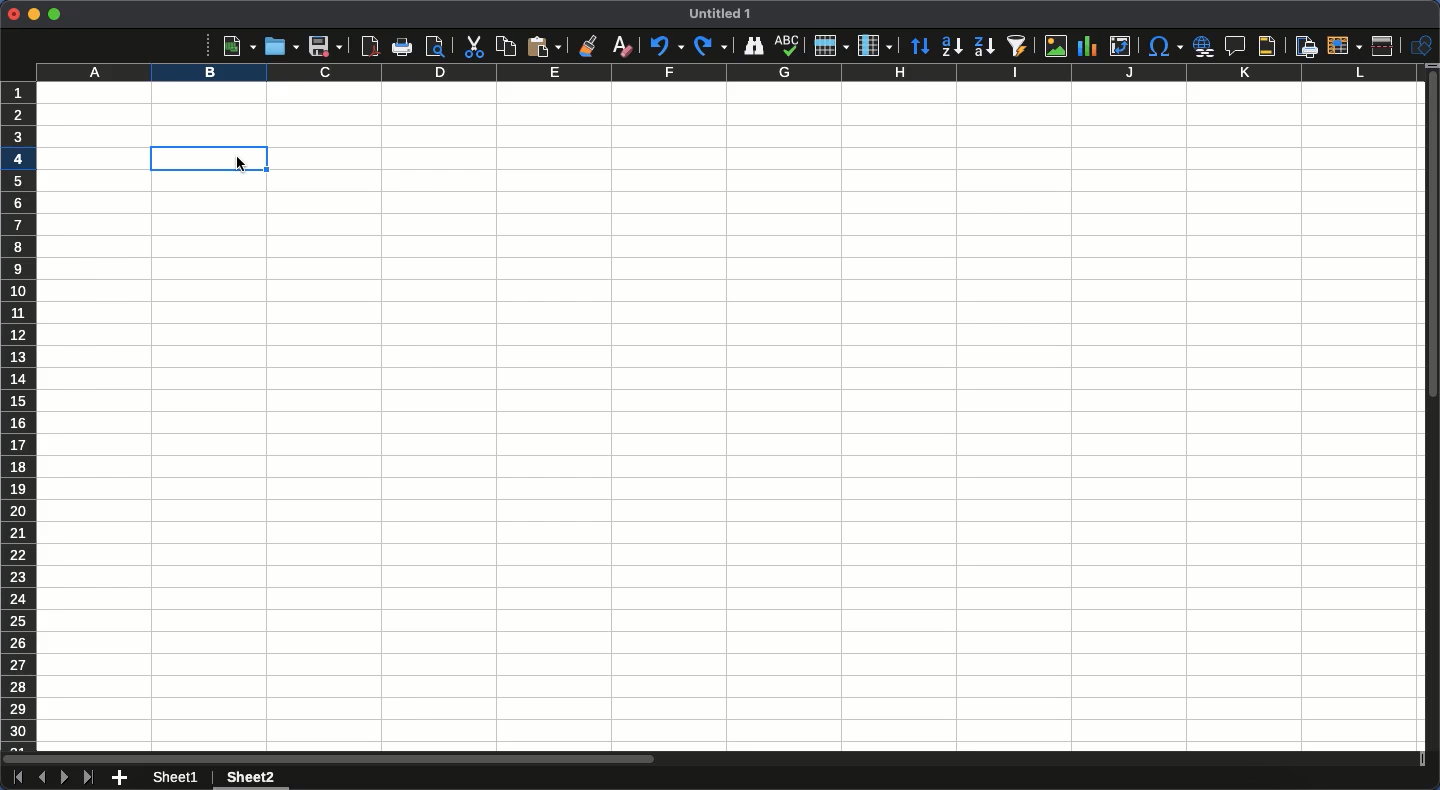 This screenshot has width=1440, height=790. What do you see at coordinates (120, 779) in the screenshot?
I see `Add new sheet` at bounding box center [120, 779].